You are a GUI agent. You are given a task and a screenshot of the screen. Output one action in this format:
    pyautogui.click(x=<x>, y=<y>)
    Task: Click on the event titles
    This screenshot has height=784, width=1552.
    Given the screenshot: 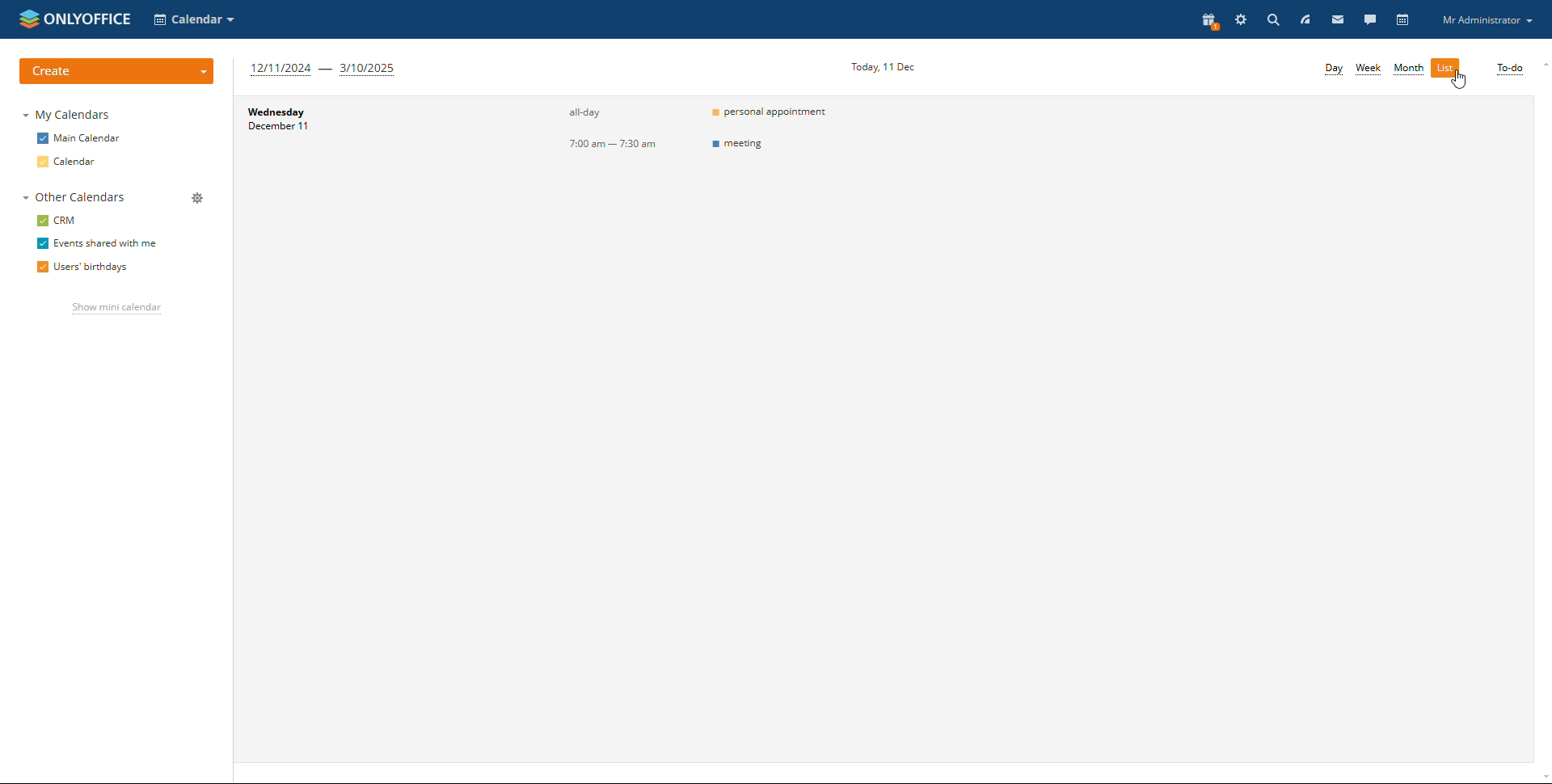 What is the action you would take?
    pyautogui.click(x=778, y=128)
    